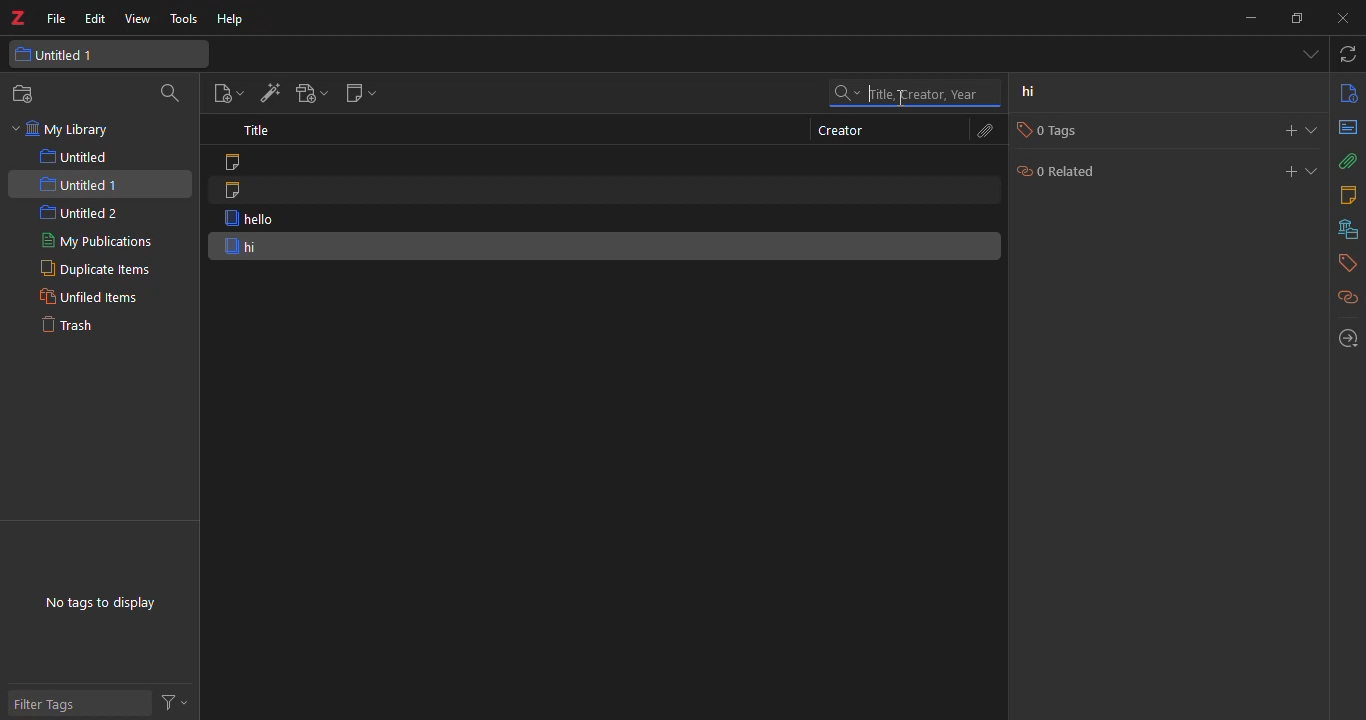 The image size is (1366, 720). Describe the element at coordinates (1349, 127) in the screenshot. I see `abstract` at that location.